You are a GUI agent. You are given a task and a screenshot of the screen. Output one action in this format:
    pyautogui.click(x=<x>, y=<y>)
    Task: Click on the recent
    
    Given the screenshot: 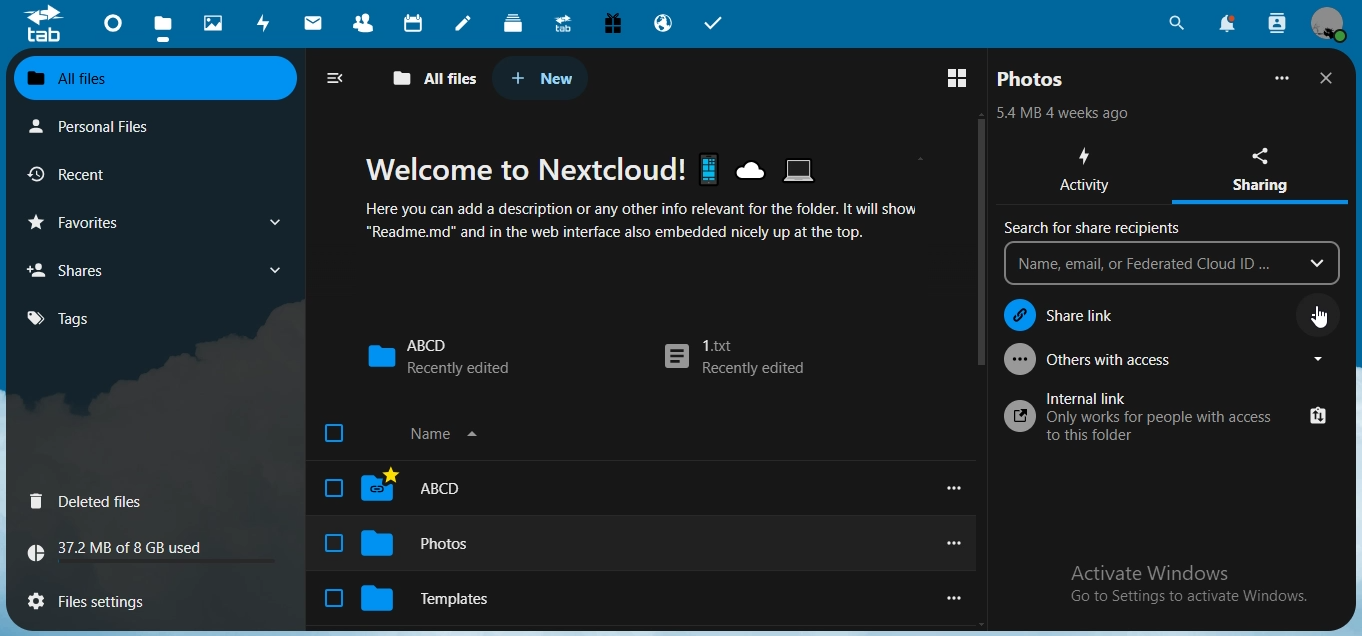 What is the action you would take?
    pyautogui.click(x=103, y=175)
    